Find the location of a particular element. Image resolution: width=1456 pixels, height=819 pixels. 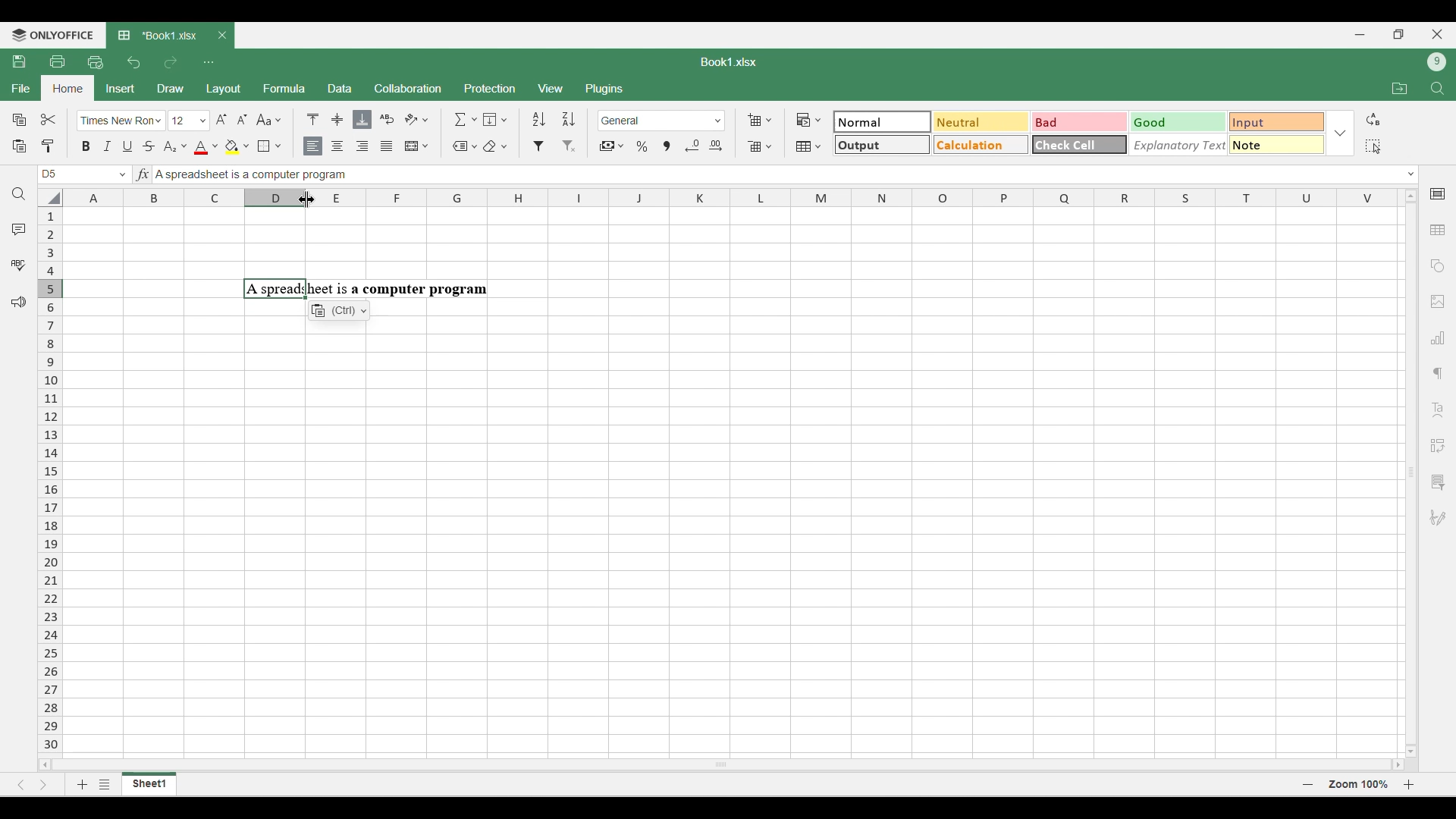

Save is located at coordinates (18, 61).